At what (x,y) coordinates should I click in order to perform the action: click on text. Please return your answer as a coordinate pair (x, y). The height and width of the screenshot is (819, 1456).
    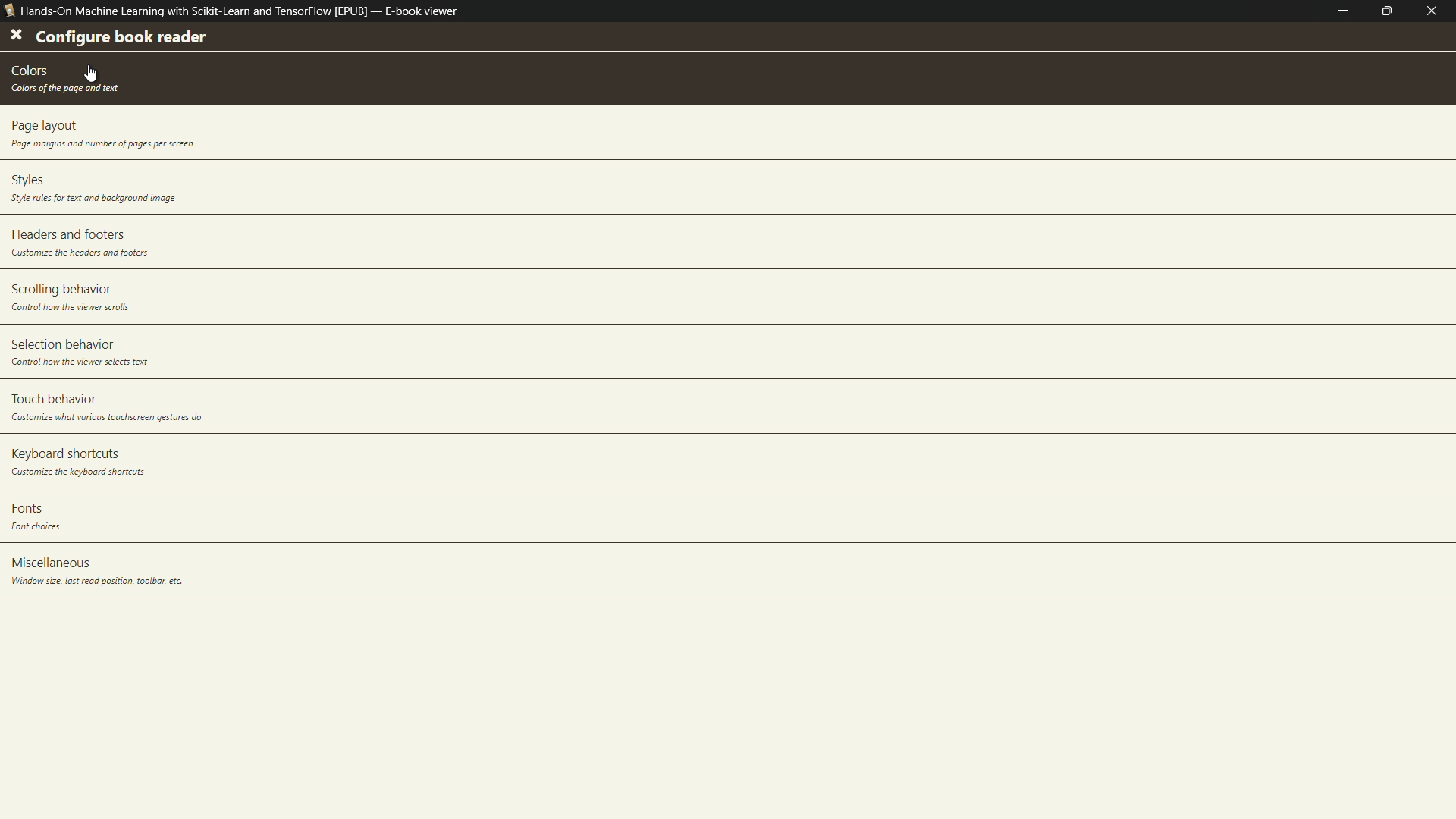
    Looking at the image, I should click on (80, 253).